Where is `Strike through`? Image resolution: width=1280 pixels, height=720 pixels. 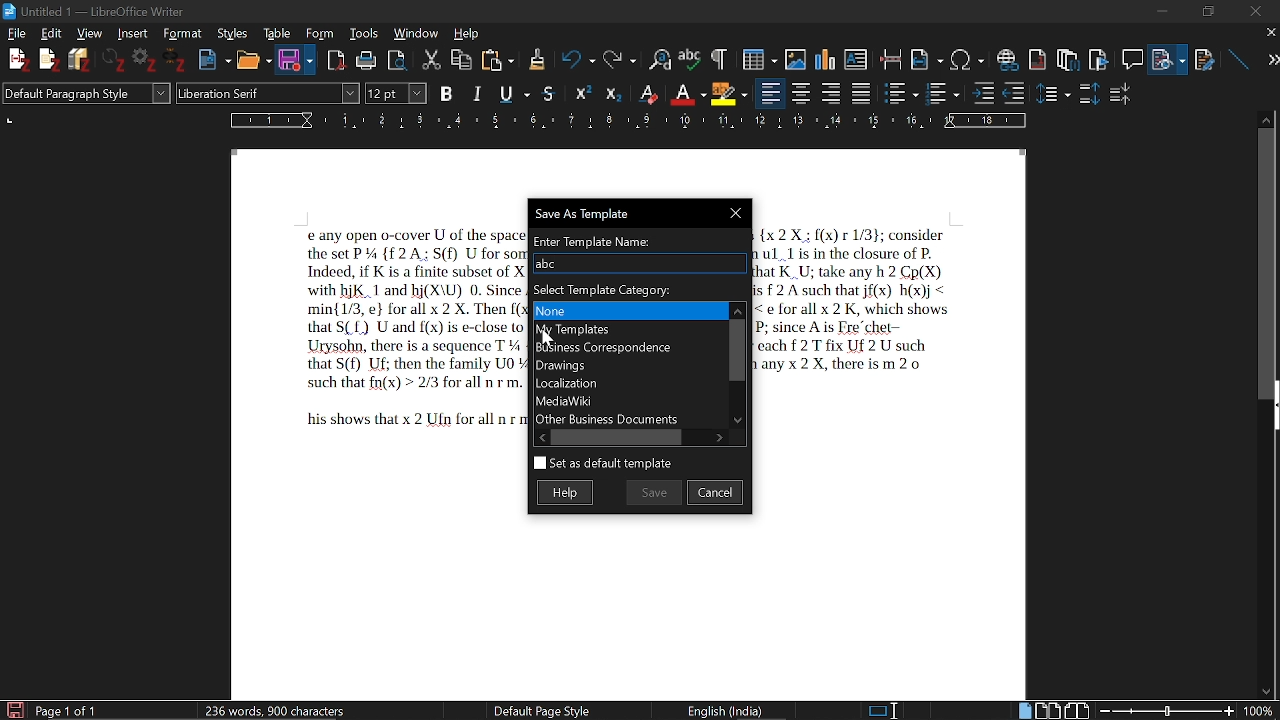 Strike through is located at coordinates (550, 93).